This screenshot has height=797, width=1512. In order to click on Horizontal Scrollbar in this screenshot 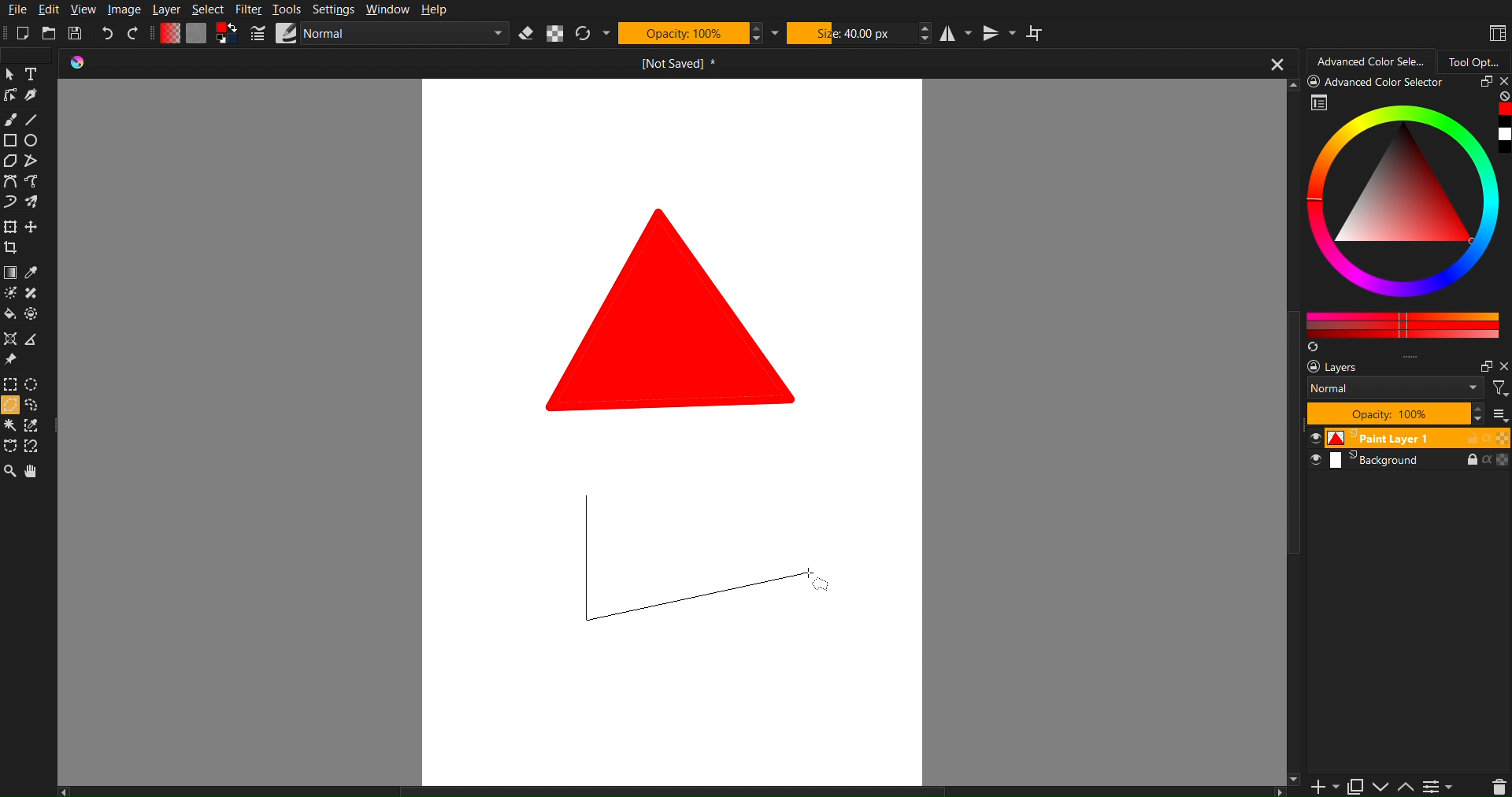, I will do `click(675, 790)`.